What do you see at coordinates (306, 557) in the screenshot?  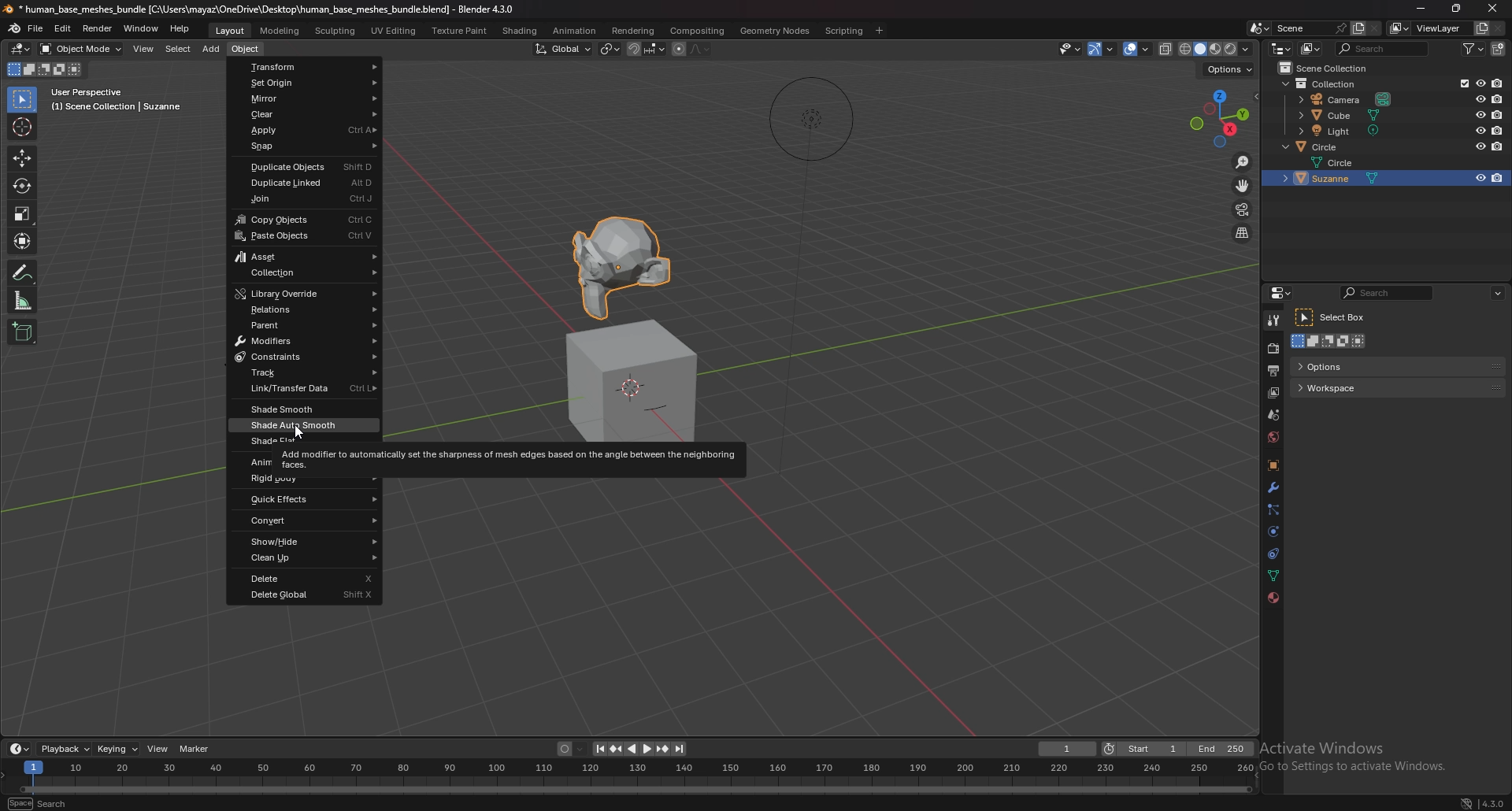 I see `clean up` at bounding box center [306, 557].